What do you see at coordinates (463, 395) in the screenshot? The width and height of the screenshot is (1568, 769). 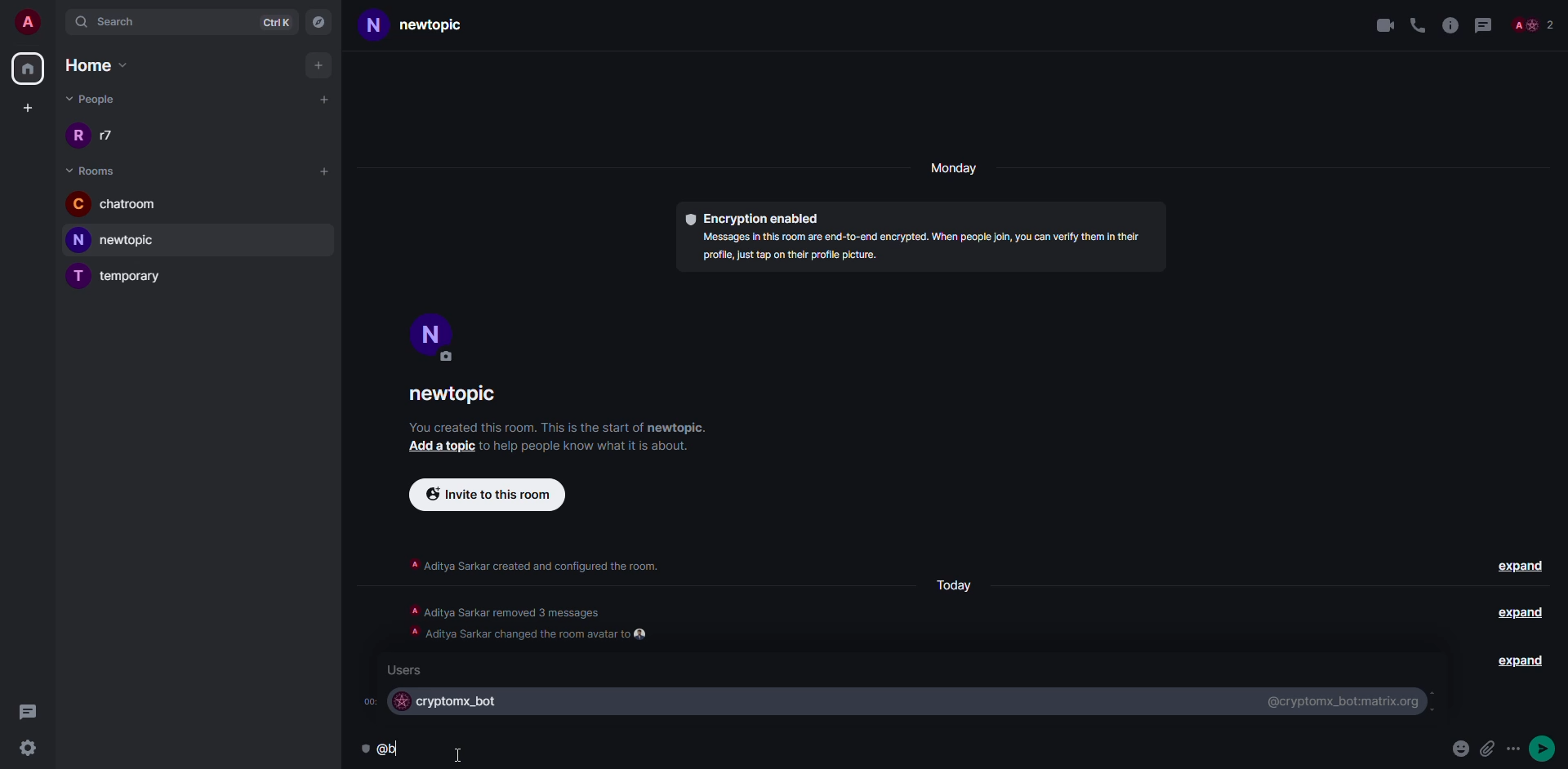 I see `newtopic` at bounding box center [463, 395].